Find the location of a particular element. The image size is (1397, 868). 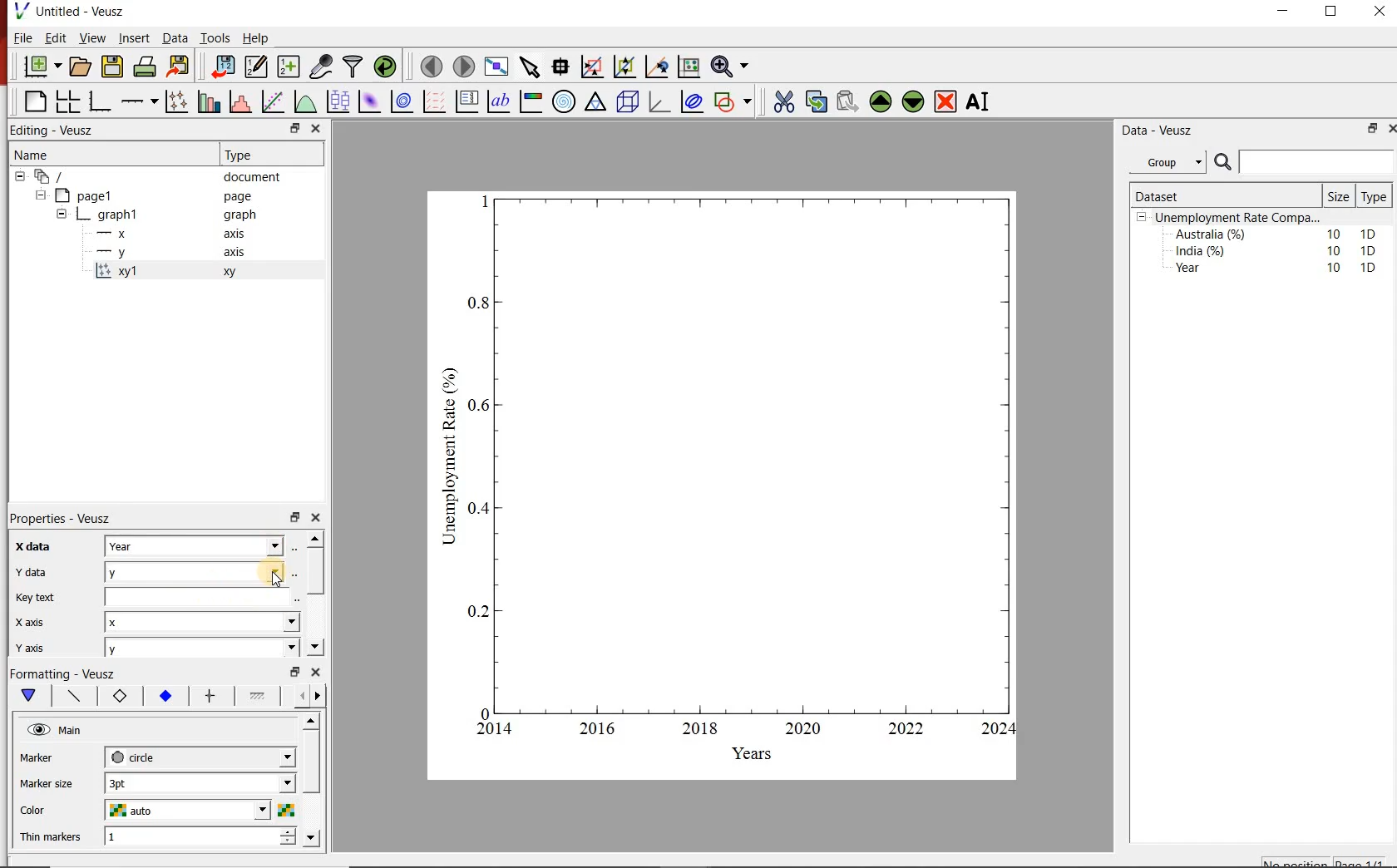

export document is located at coordinates (180, 65).